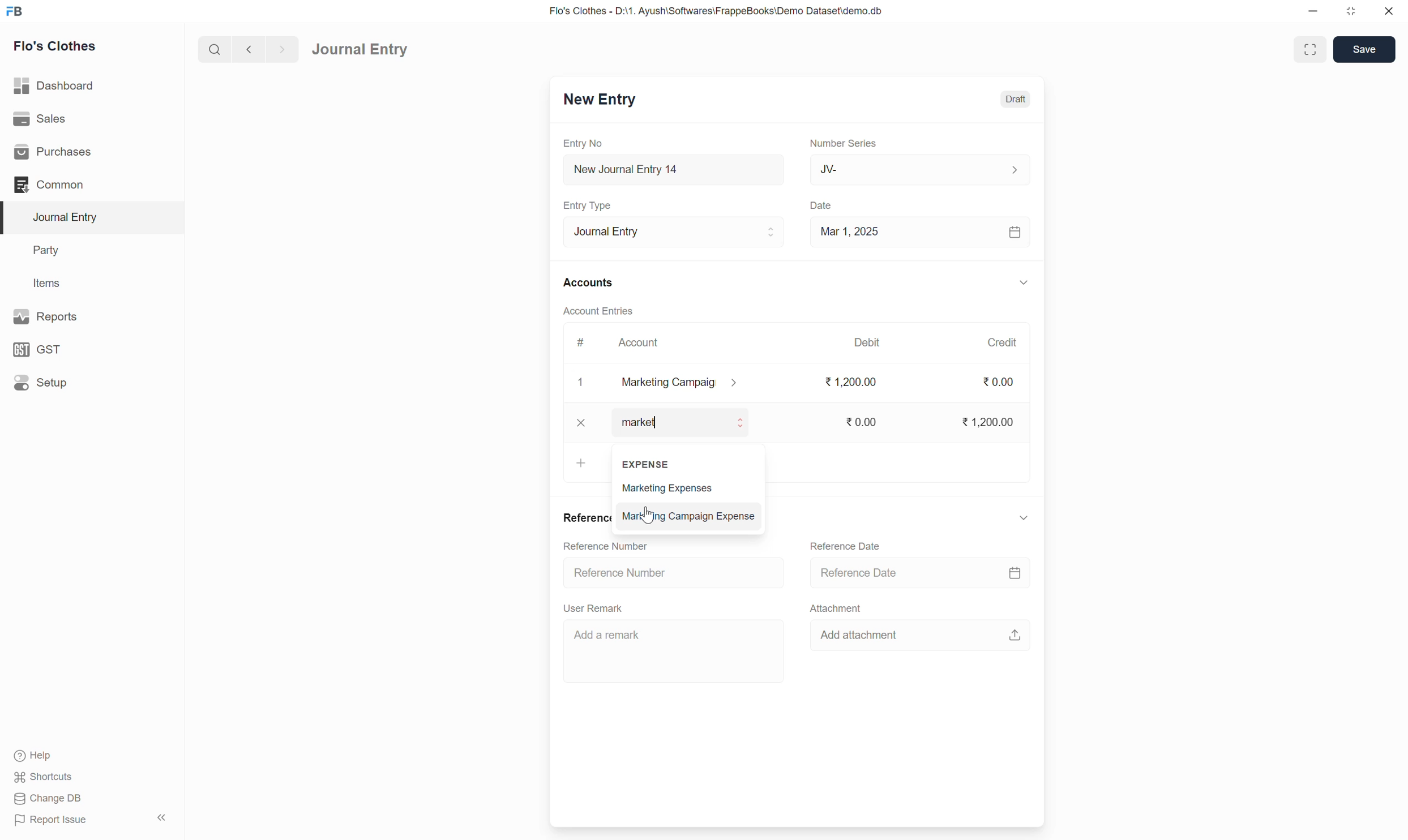 This screenshot has height=840, width=1408. Describe the element at coordinates (853, 383) in the screenshot. I see `1,200.00` at that location.